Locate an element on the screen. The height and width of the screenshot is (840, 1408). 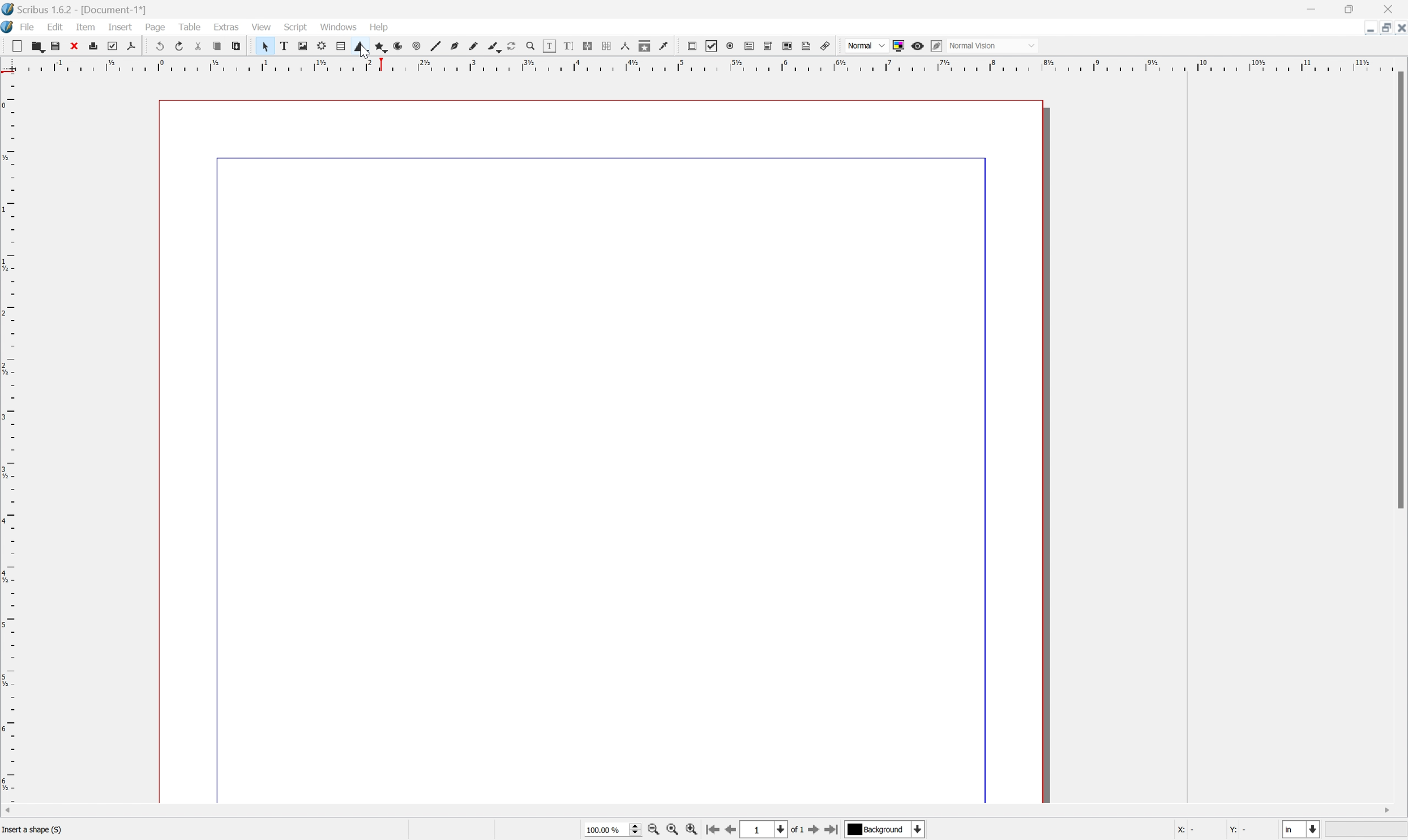
Link annotation is located at coordinates (827, 45).